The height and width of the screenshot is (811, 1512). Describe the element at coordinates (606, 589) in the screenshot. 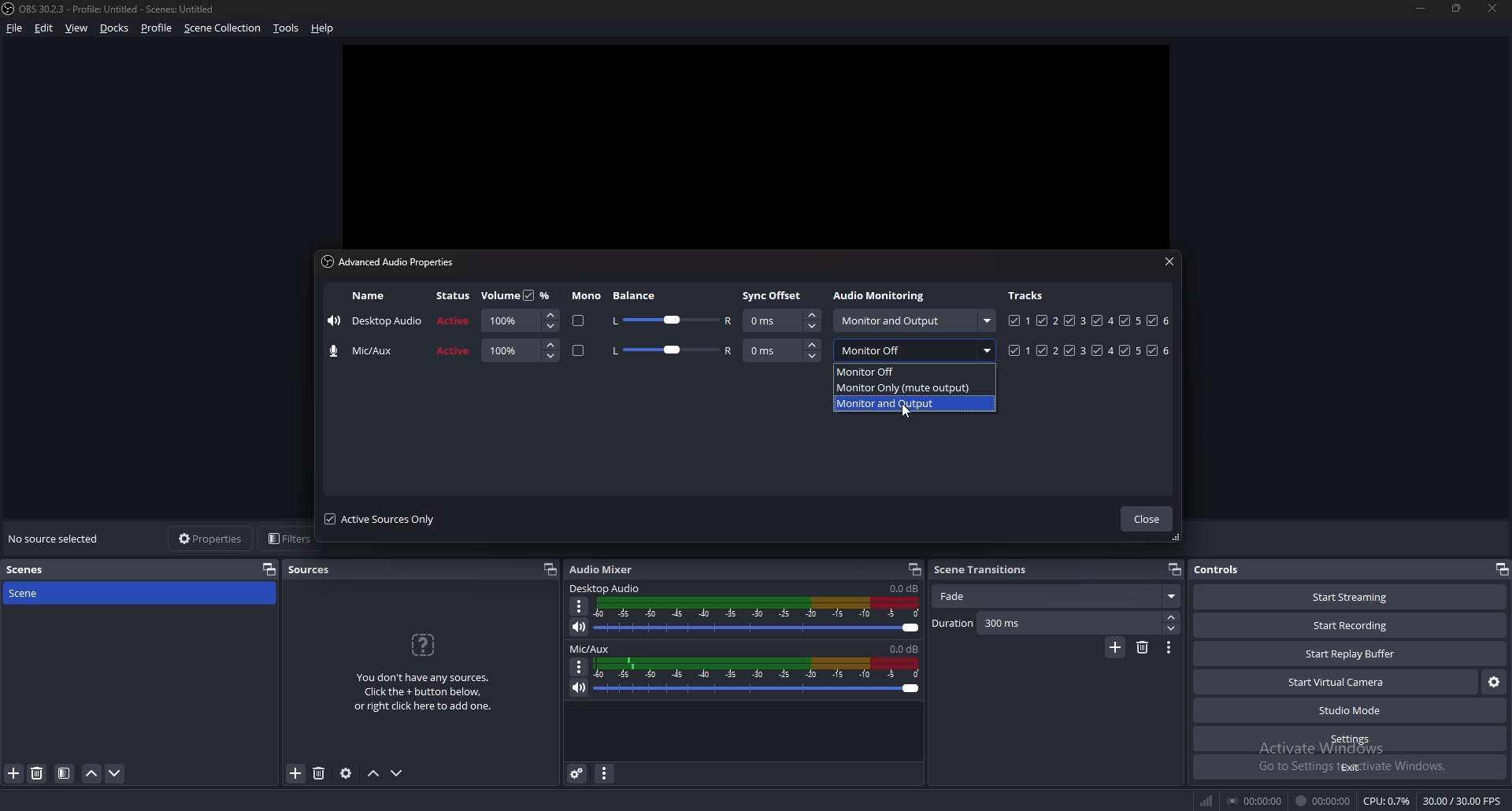

I see `desktop audio` at that location.